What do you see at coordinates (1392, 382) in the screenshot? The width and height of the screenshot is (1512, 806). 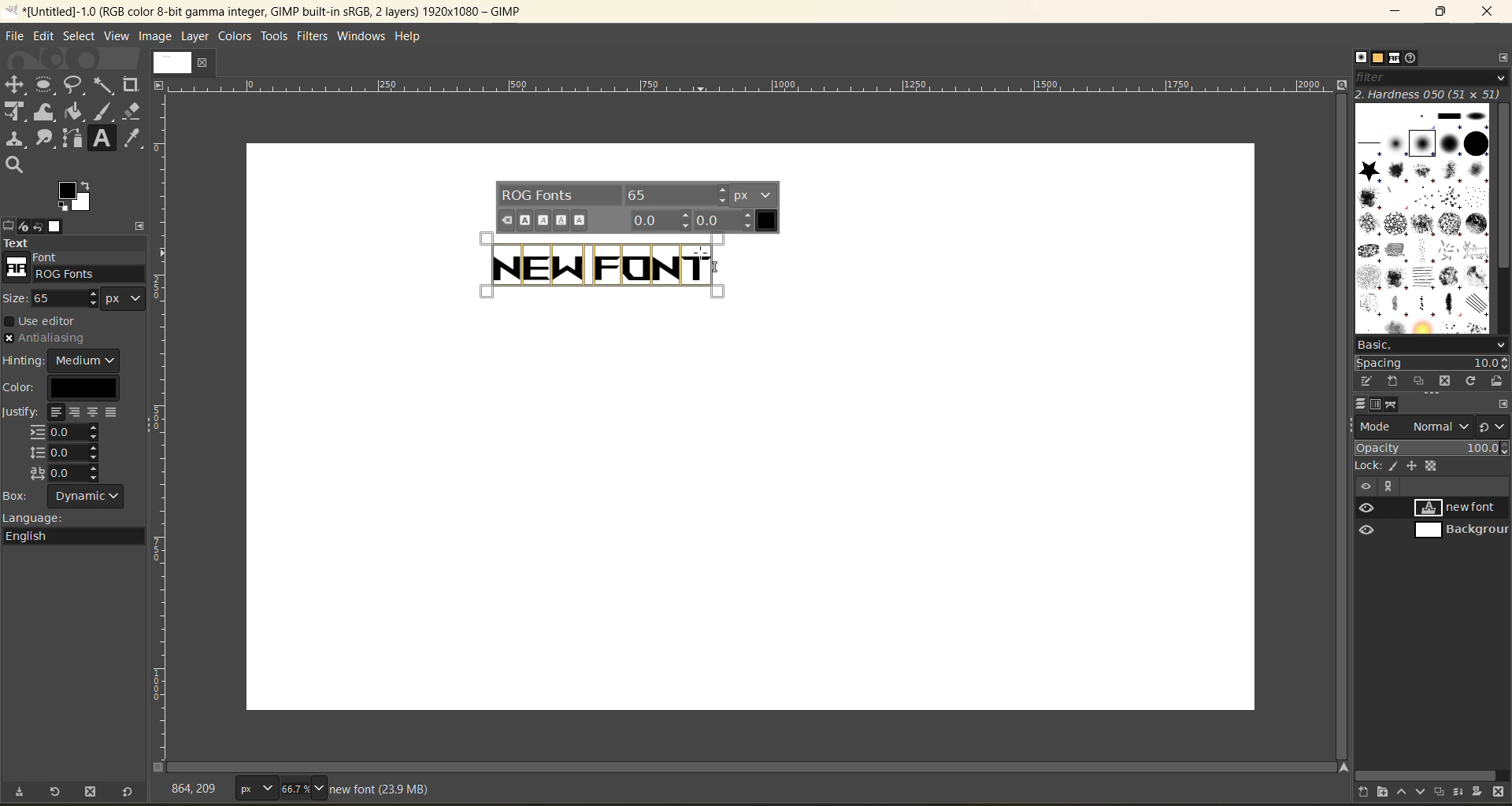 I see `create a new brush` at bounding box center [1392, 382].